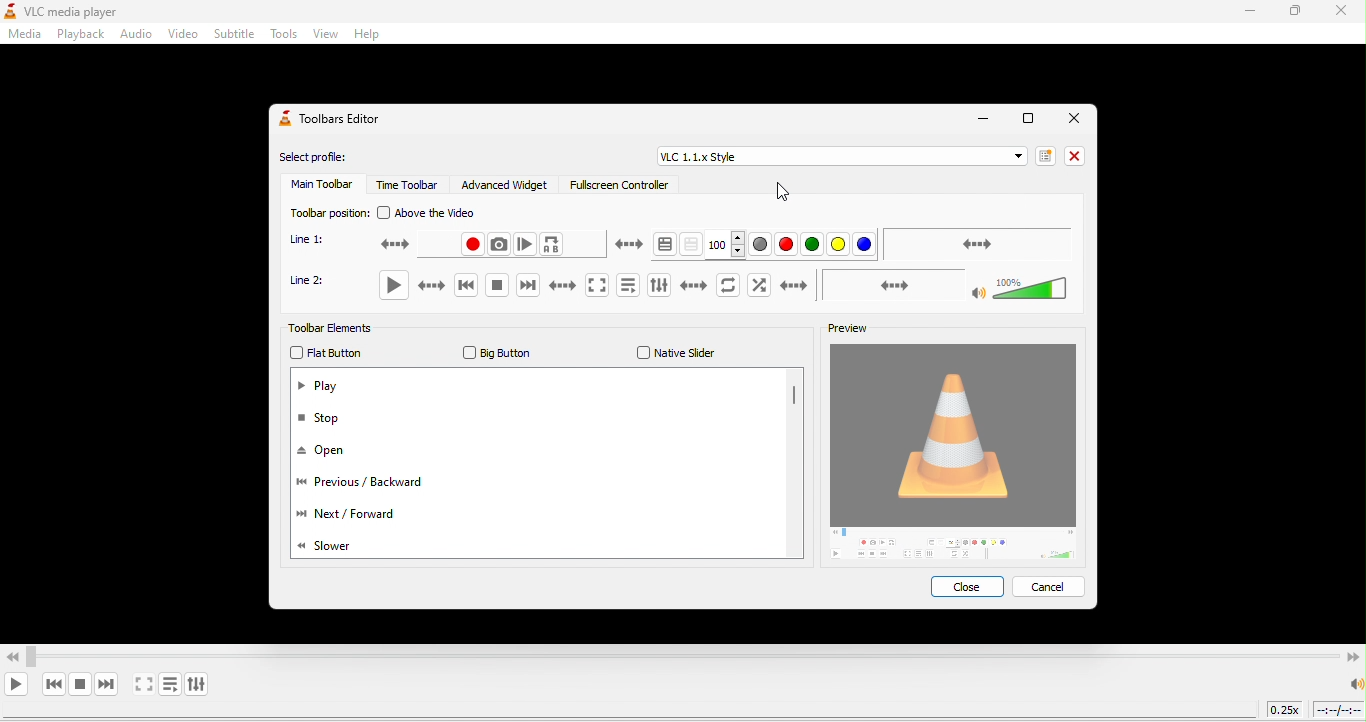 Image resolution: width=1366 pixels, height=722 pixels. I want to click on toolbars editor, so click(335, 120).